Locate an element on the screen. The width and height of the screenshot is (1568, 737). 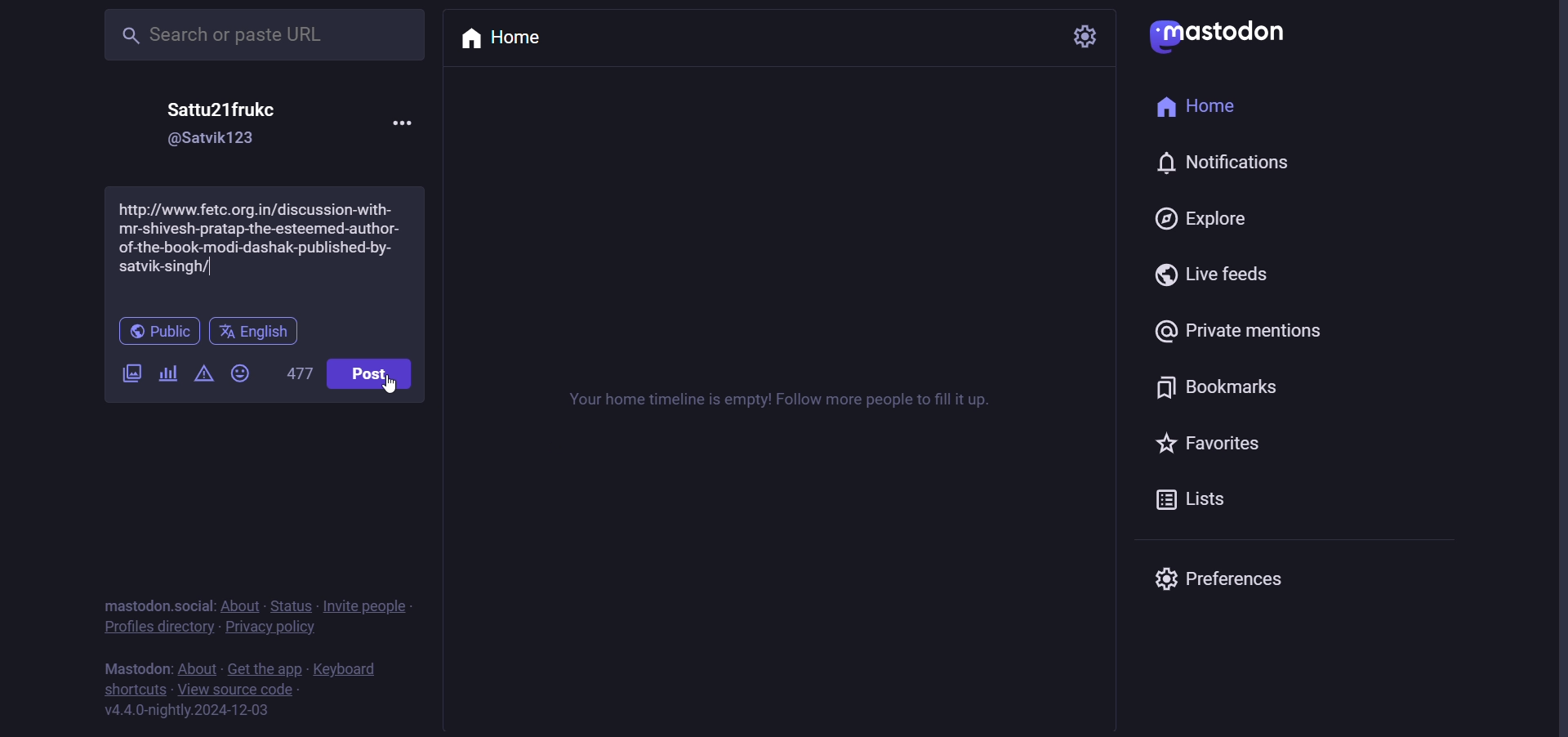
my article link is located at coordinates (264, 248).